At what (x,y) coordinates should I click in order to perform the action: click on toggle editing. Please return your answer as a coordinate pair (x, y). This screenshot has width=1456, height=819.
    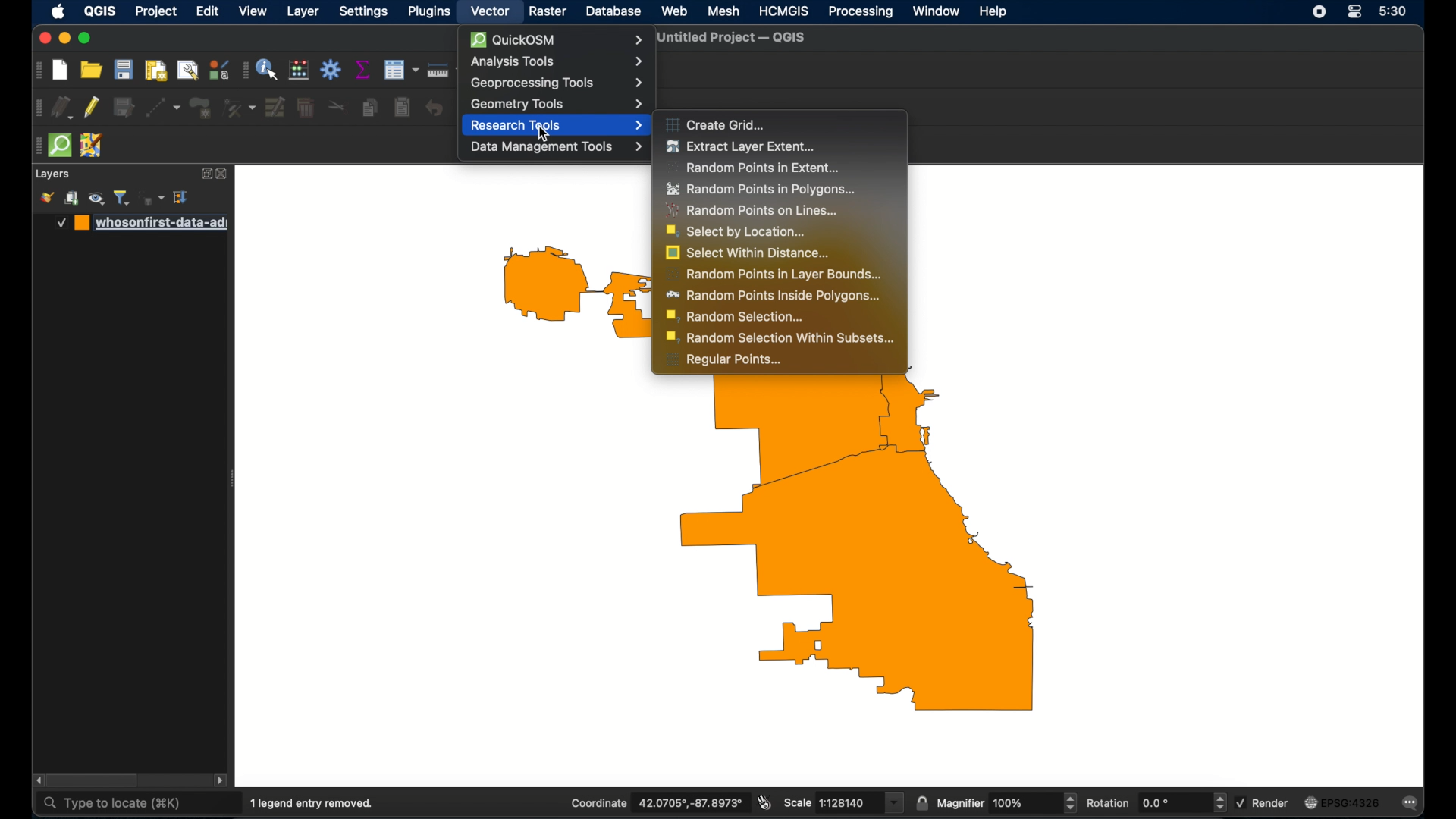
    Looking at the image, I should click on (92, 108).